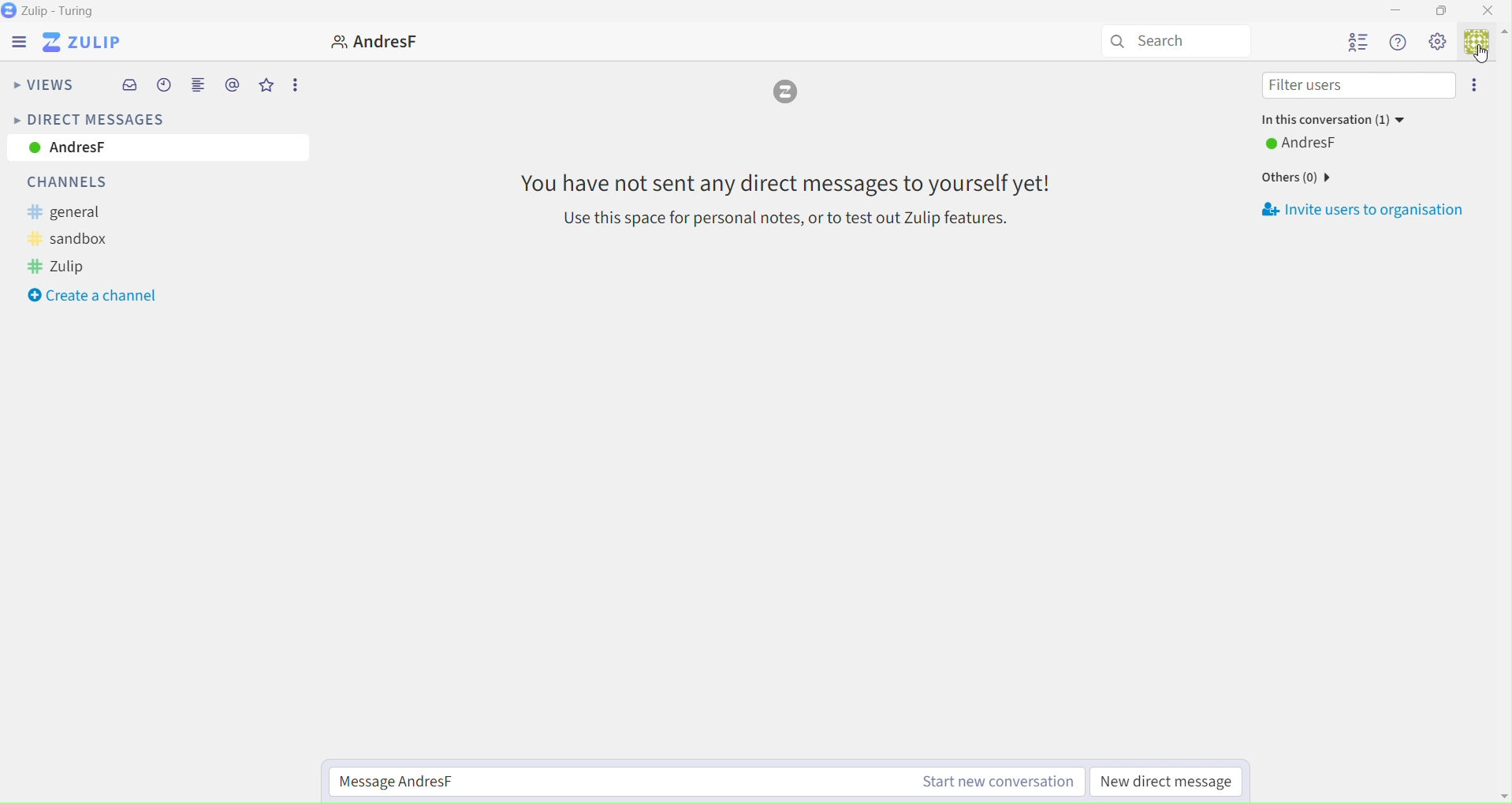 The width and height of the screenshot is (1512, 803). What do you see at coordinates (367, 41) in the screenshot?
I see `User` at bounding box center [367, 41].